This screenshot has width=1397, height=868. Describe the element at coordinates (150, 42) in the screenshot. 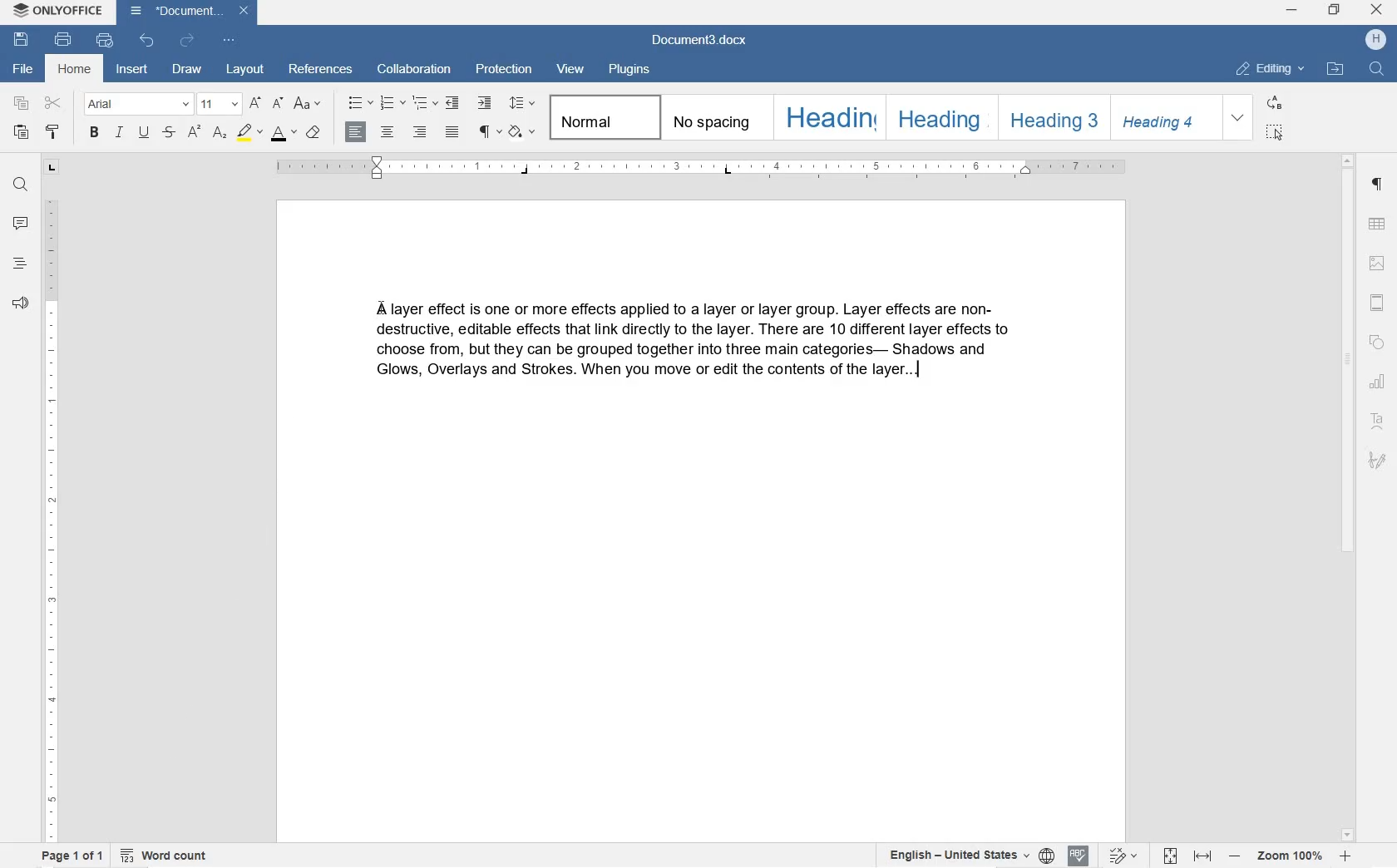

I see `UNDO` at that location.